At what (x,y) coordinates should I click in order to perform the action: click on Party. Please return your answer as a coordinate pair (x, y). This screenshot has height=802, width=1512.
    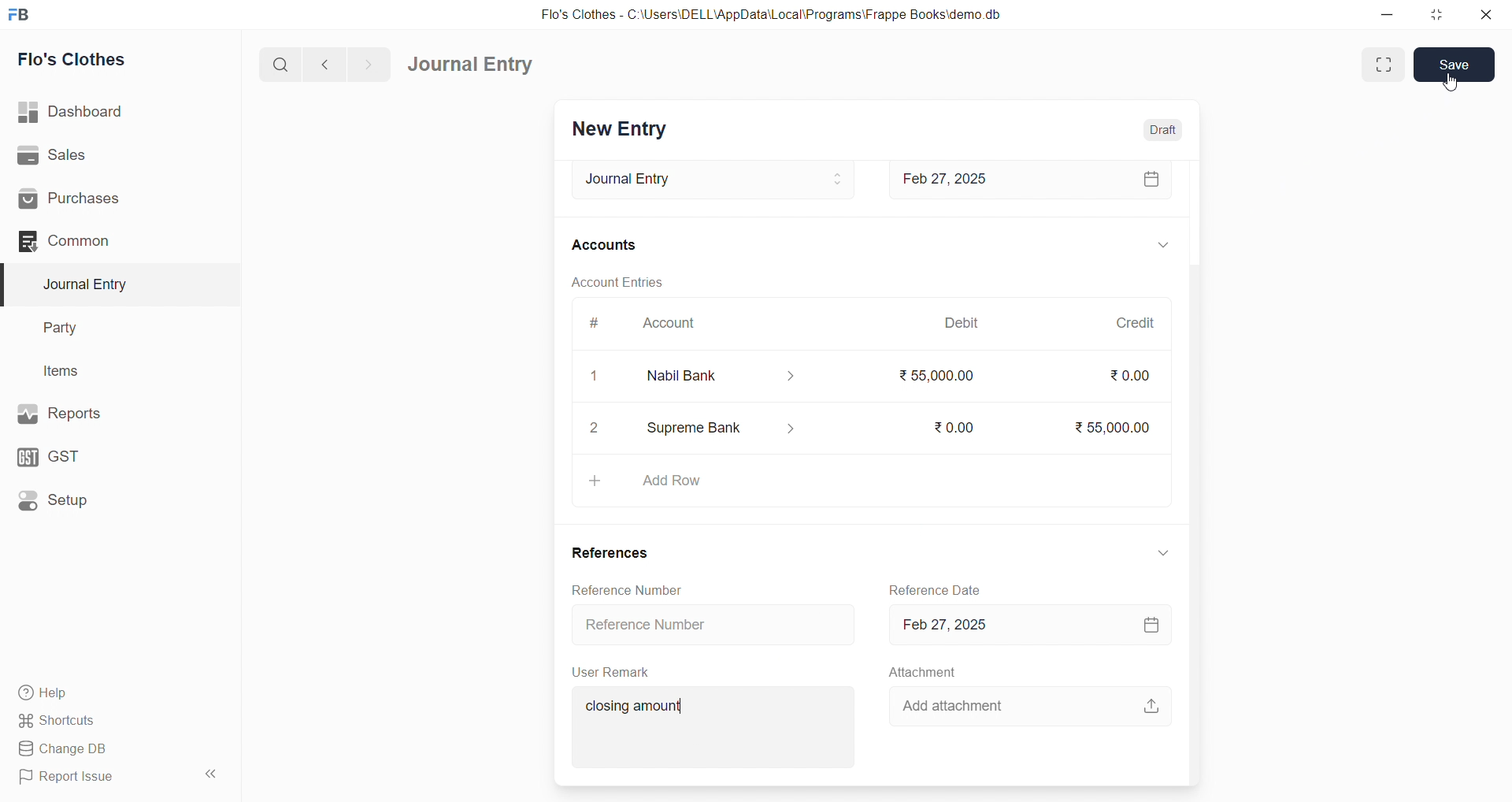
    Looking at the image, I should click on (70, 326).